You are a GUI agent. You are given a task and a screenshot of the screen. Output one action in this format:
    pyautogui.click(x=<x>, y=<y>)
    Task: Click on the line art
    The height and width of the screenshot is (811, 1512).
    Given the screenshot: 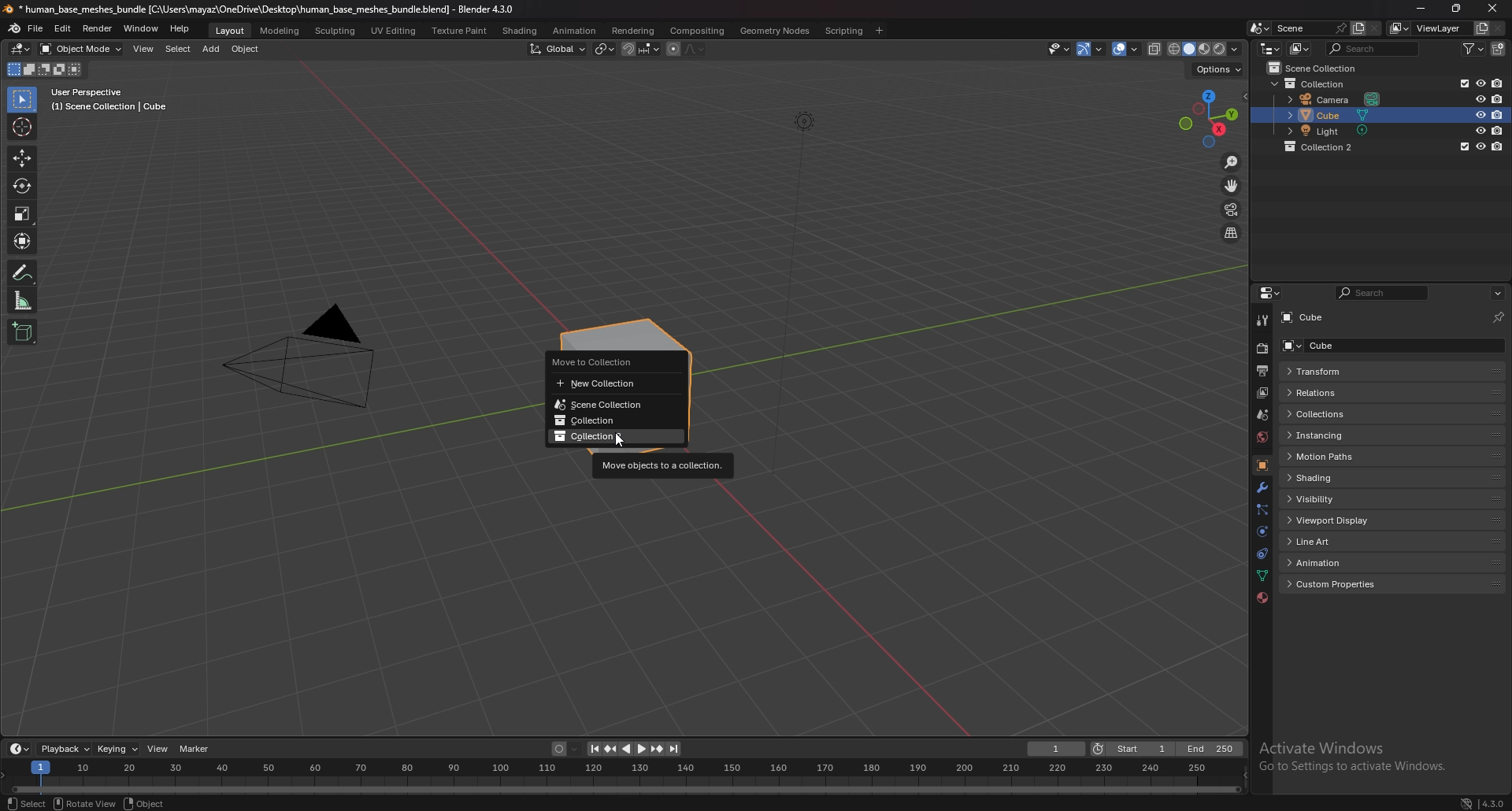 What is the action you would take?
    pyautogui.click(x=1339, y=543)
    